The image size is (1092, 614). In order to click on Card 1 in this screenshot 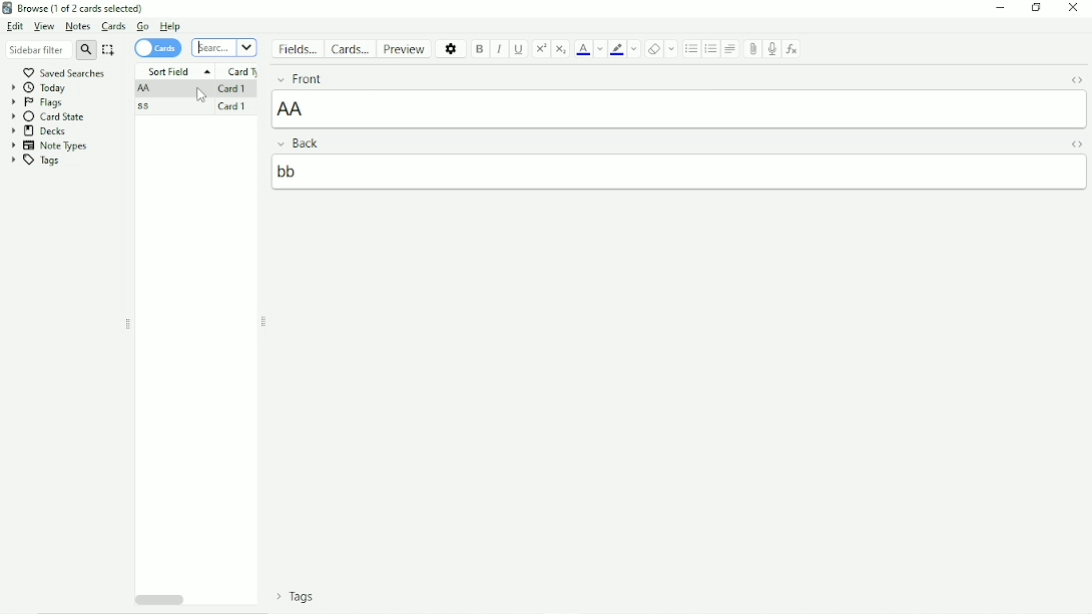, I will do `click(233, 106)`.